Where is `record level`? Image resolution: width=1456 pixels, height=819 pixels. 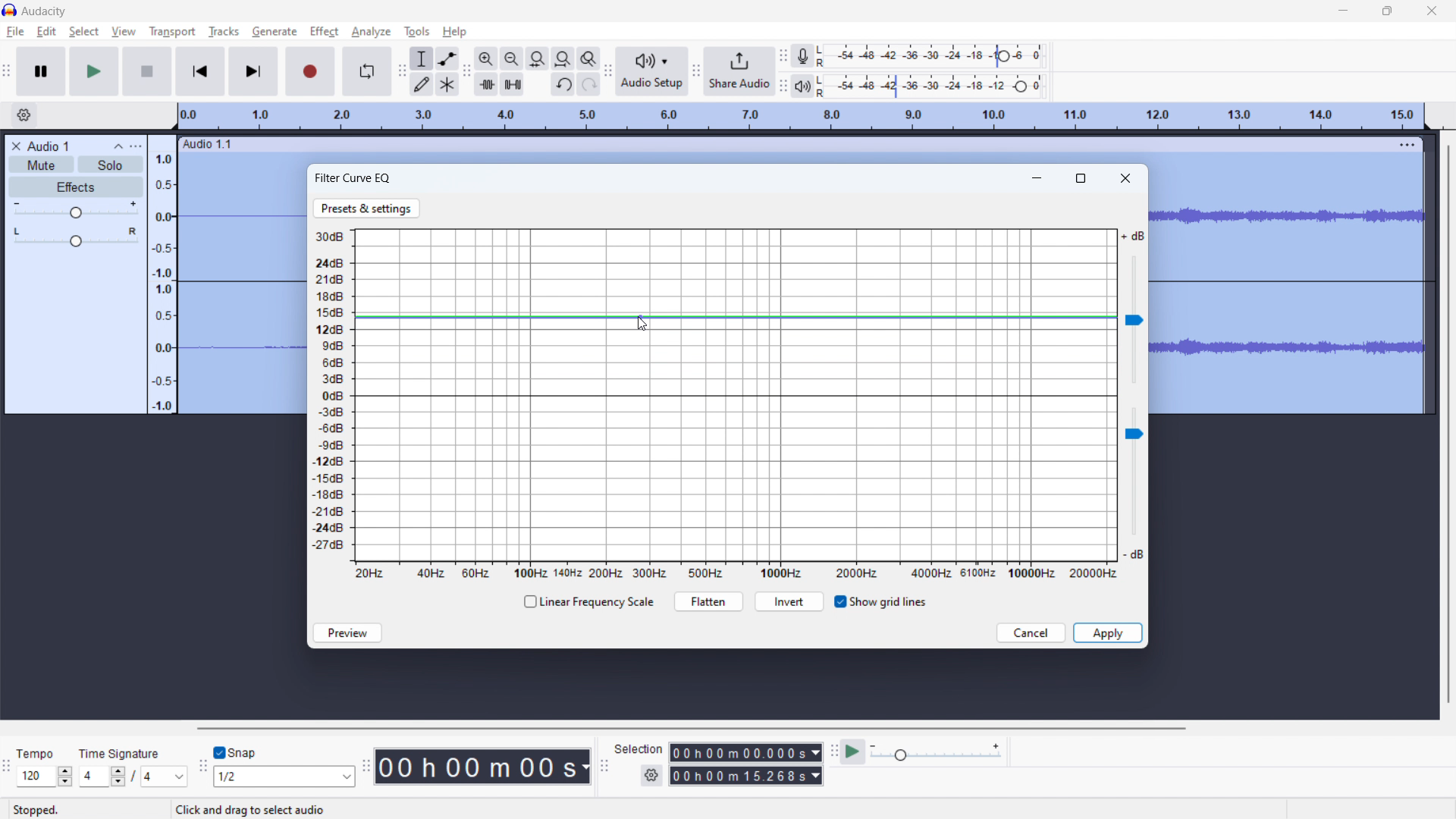 record level is located at coordinates (935, 56).